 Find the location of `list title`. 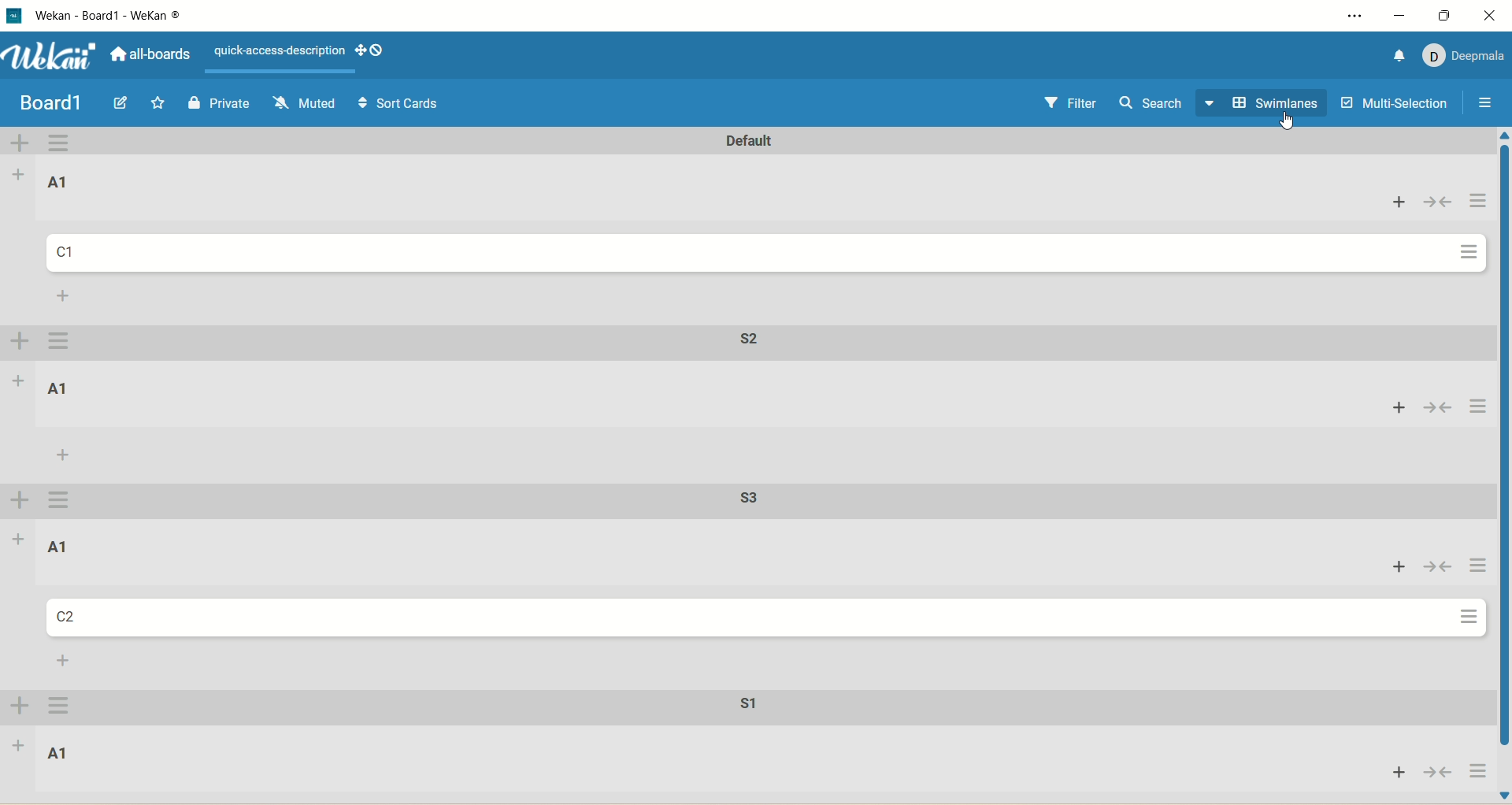

list title is located at coordinates (64, 183).